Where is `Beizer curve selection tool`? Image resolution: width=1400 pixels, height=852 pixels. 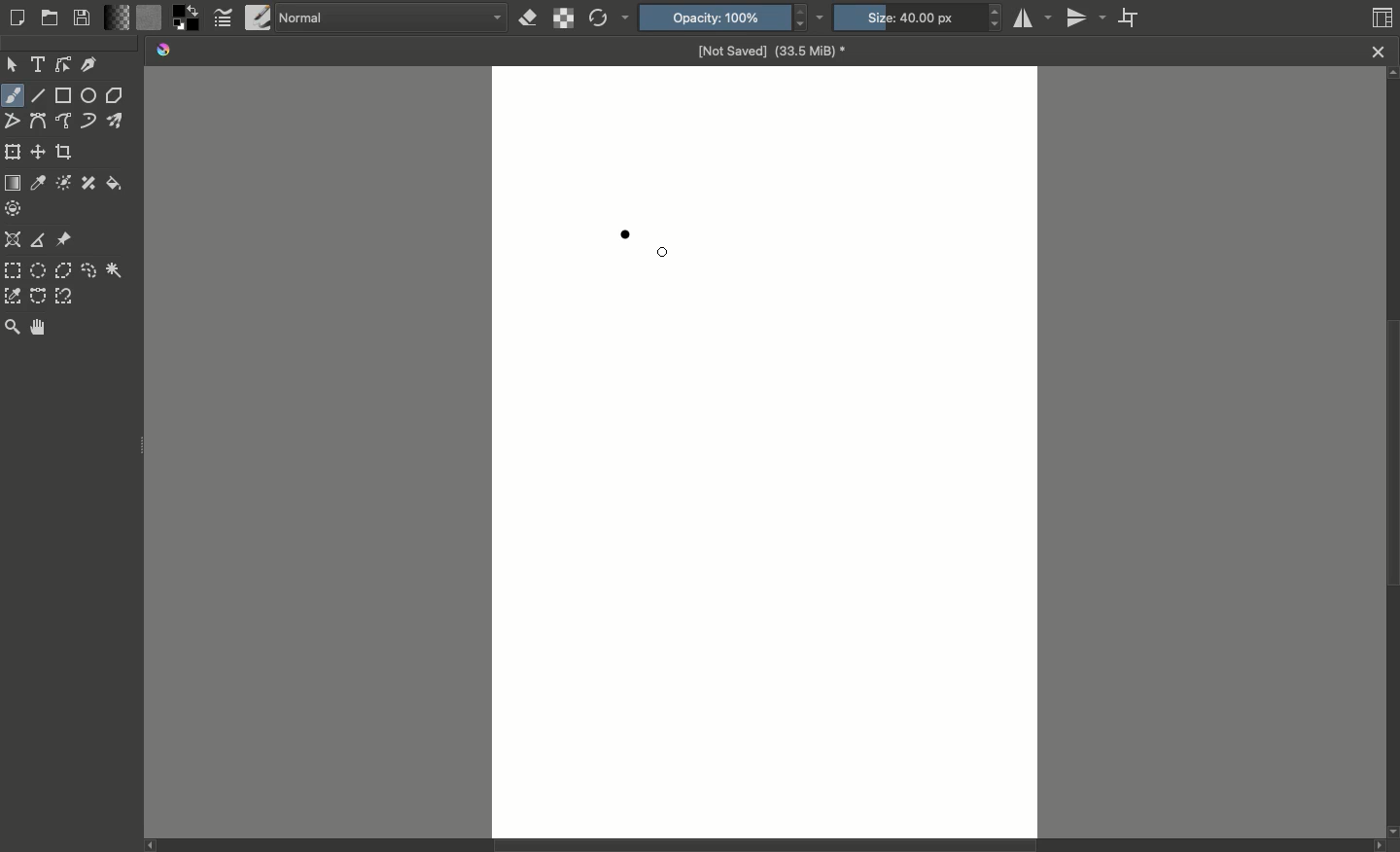 Beizer curve selection tool is located at coordinates (39, 295).